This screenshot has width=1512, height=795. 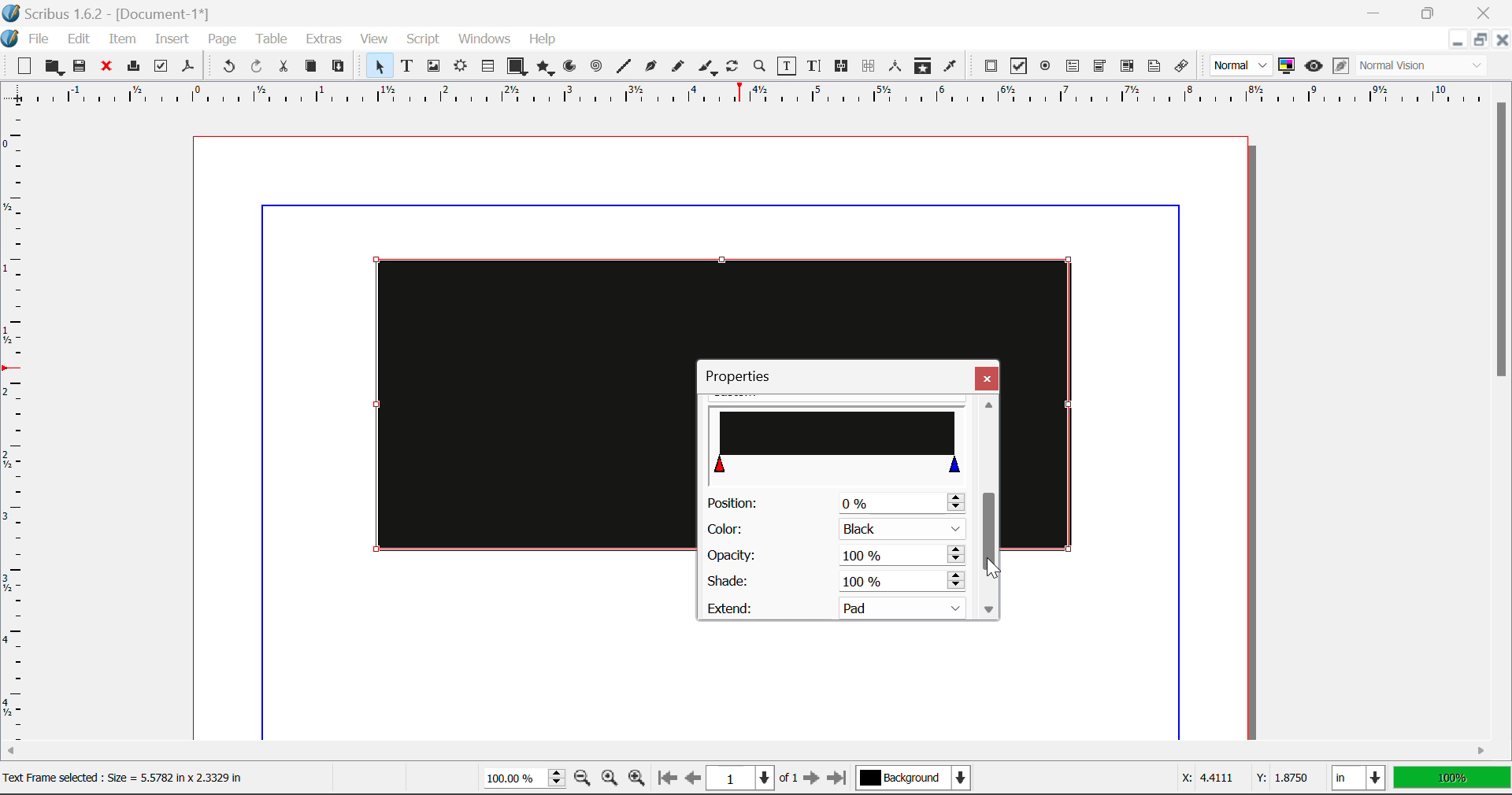 I want to click on Visual Appearance Type, so click(x=1423, y=67).